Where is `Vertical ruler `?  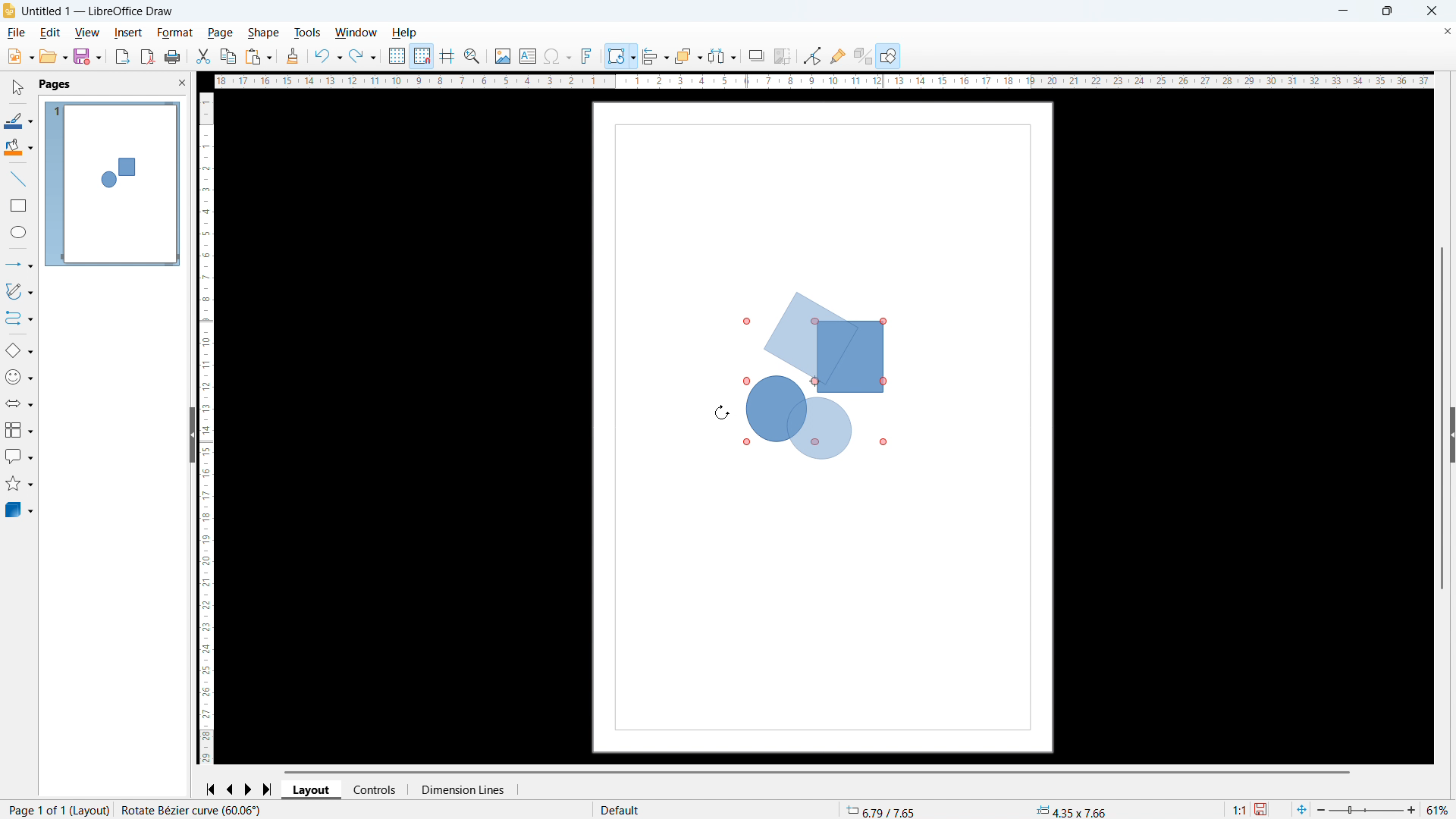 Vertical ruler  is located at coordinates (205, 429).